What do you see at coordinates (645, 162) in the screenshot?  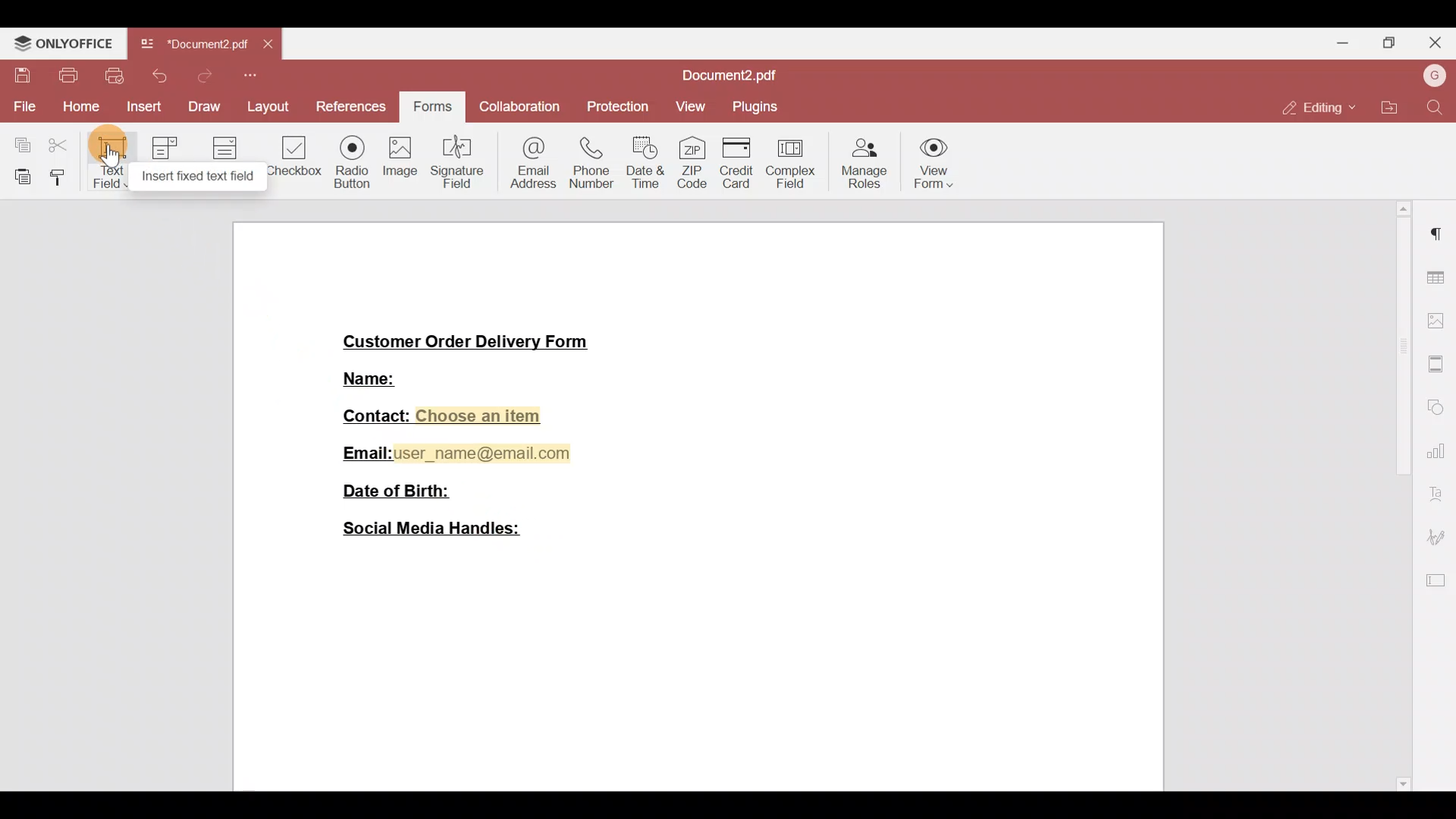 I see `Date & time` at bounding box center [645, 162].